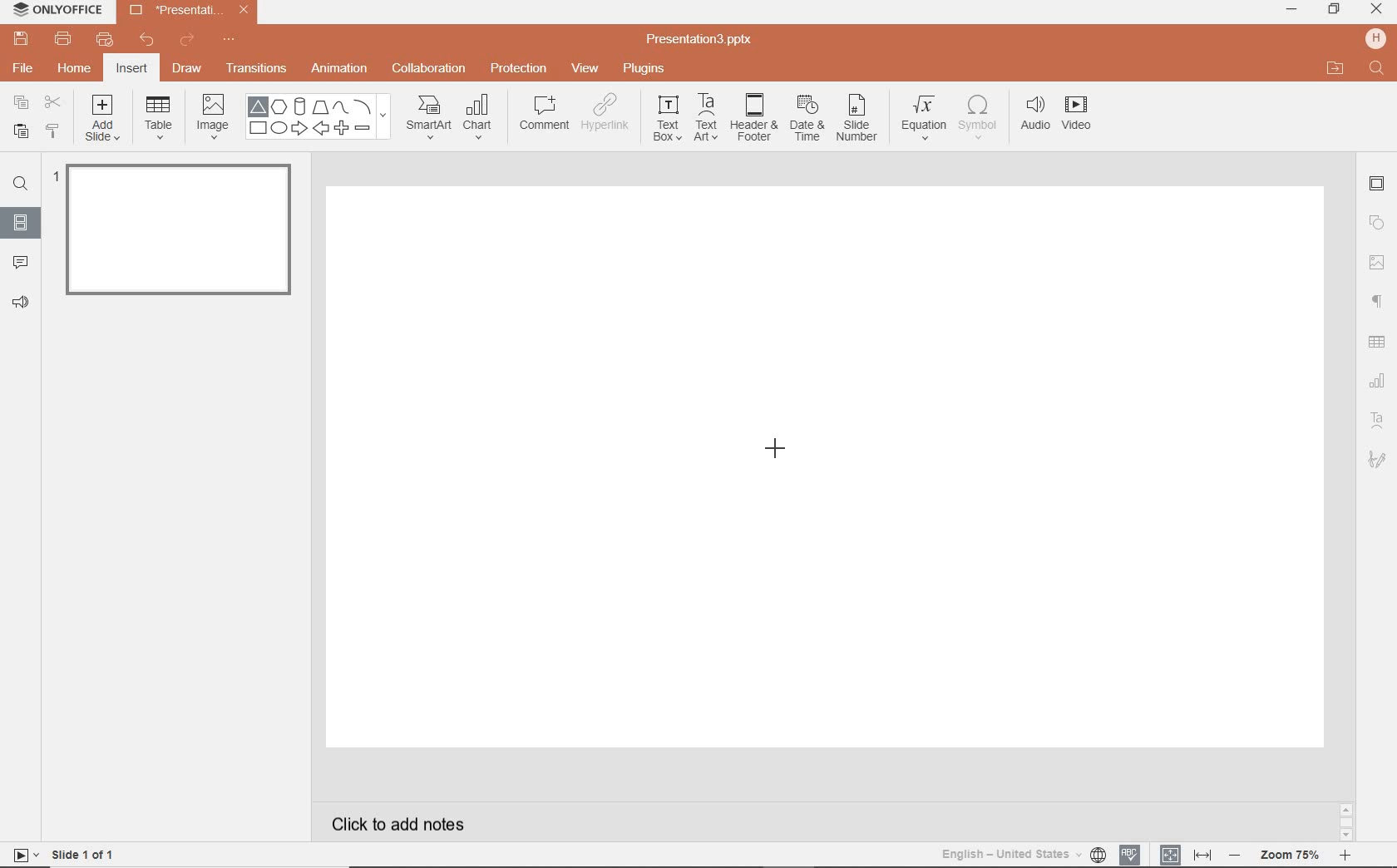  Describe the element at coordinates (702, 40) in the screenshot. I see `FILE NAME` at that location.